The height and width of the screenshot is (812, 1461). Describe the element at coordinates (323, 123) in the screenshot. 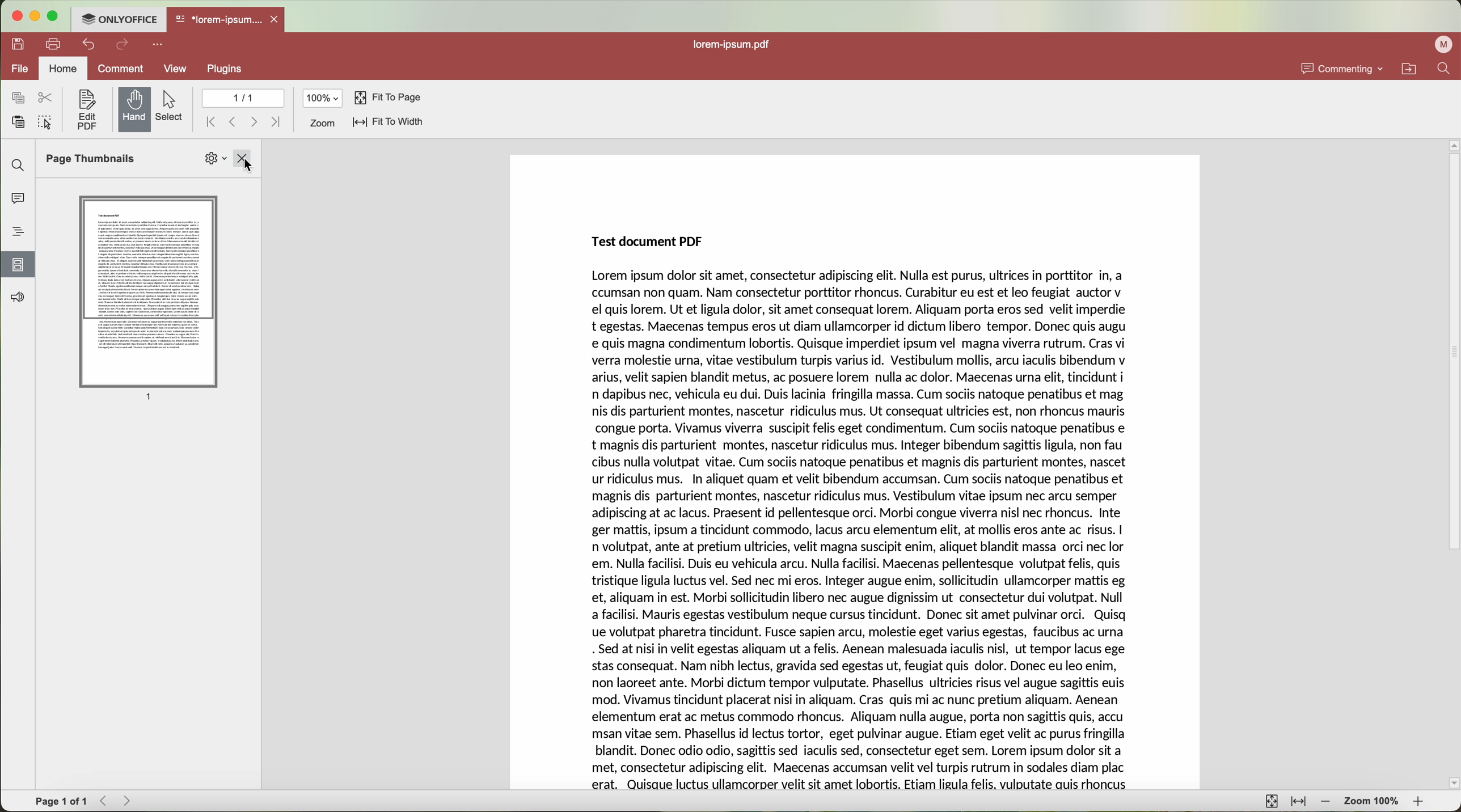

I see `zoom` at that location.